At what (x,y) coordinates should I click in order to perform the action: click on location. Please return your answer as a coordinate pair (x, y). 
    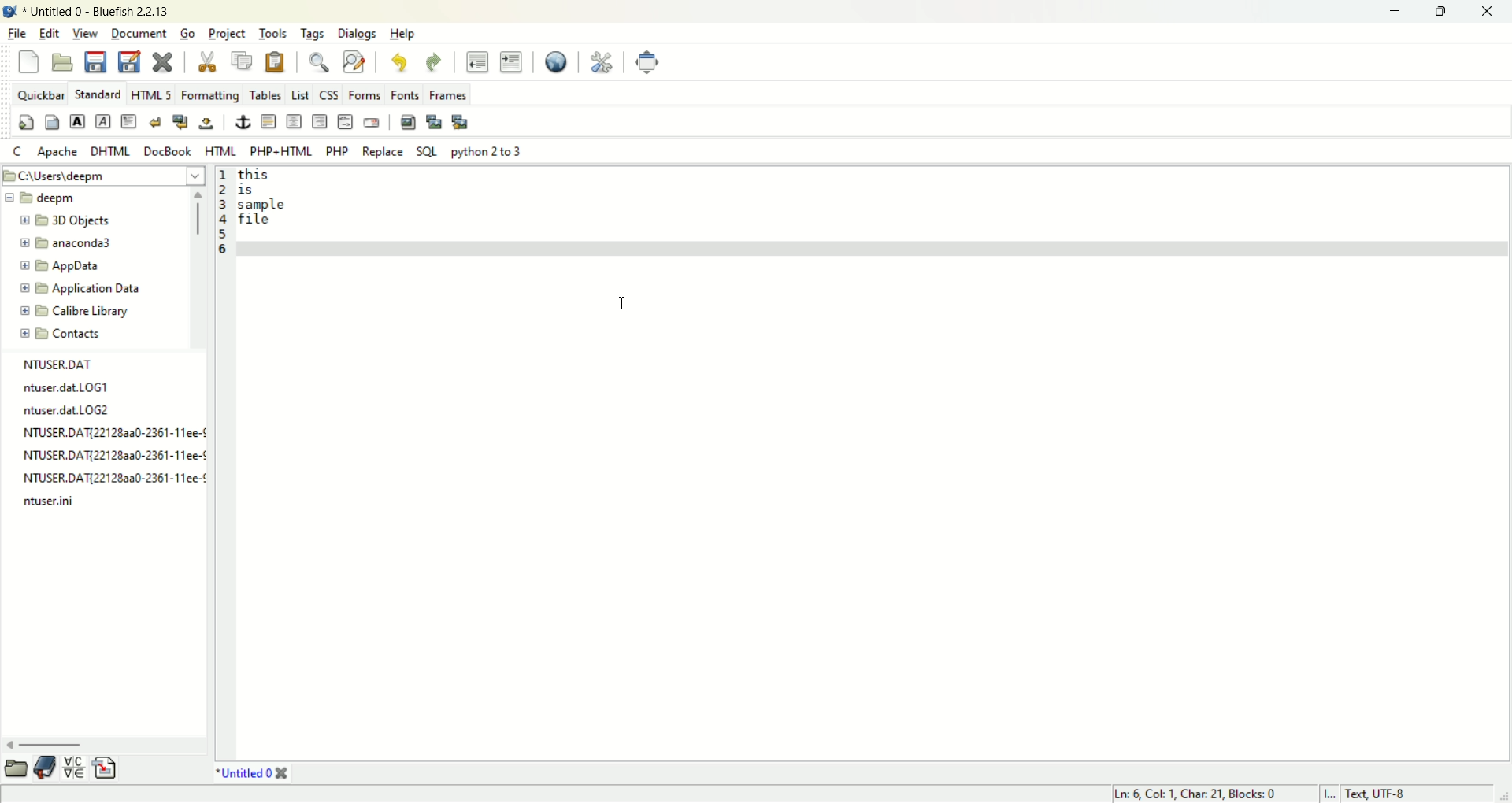
    Looking at the image, I should click on (102, 176).